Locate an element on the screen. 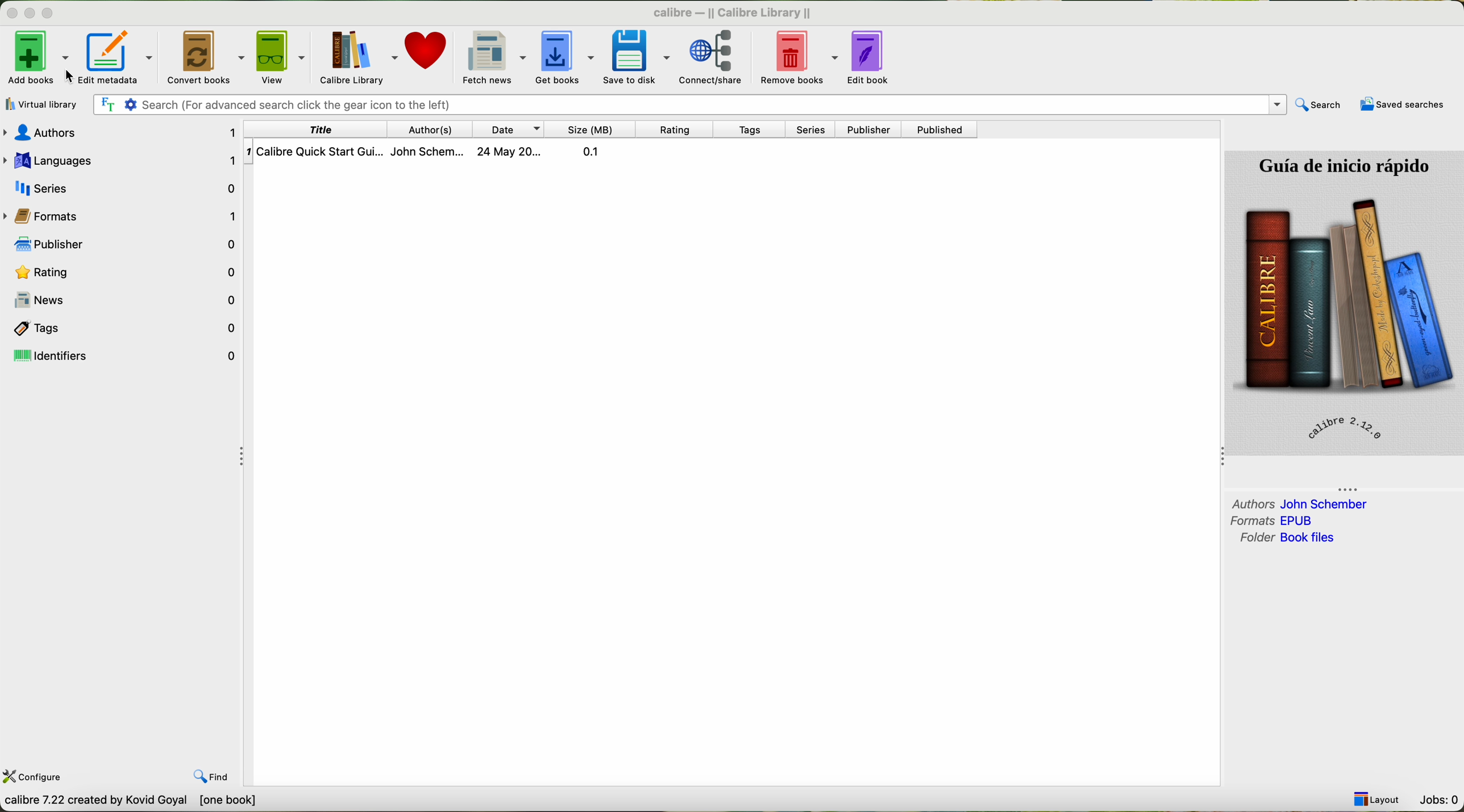 Image resolution: width=1464 pixels, height=812 pixels. date is located at coordinates (510, 129).